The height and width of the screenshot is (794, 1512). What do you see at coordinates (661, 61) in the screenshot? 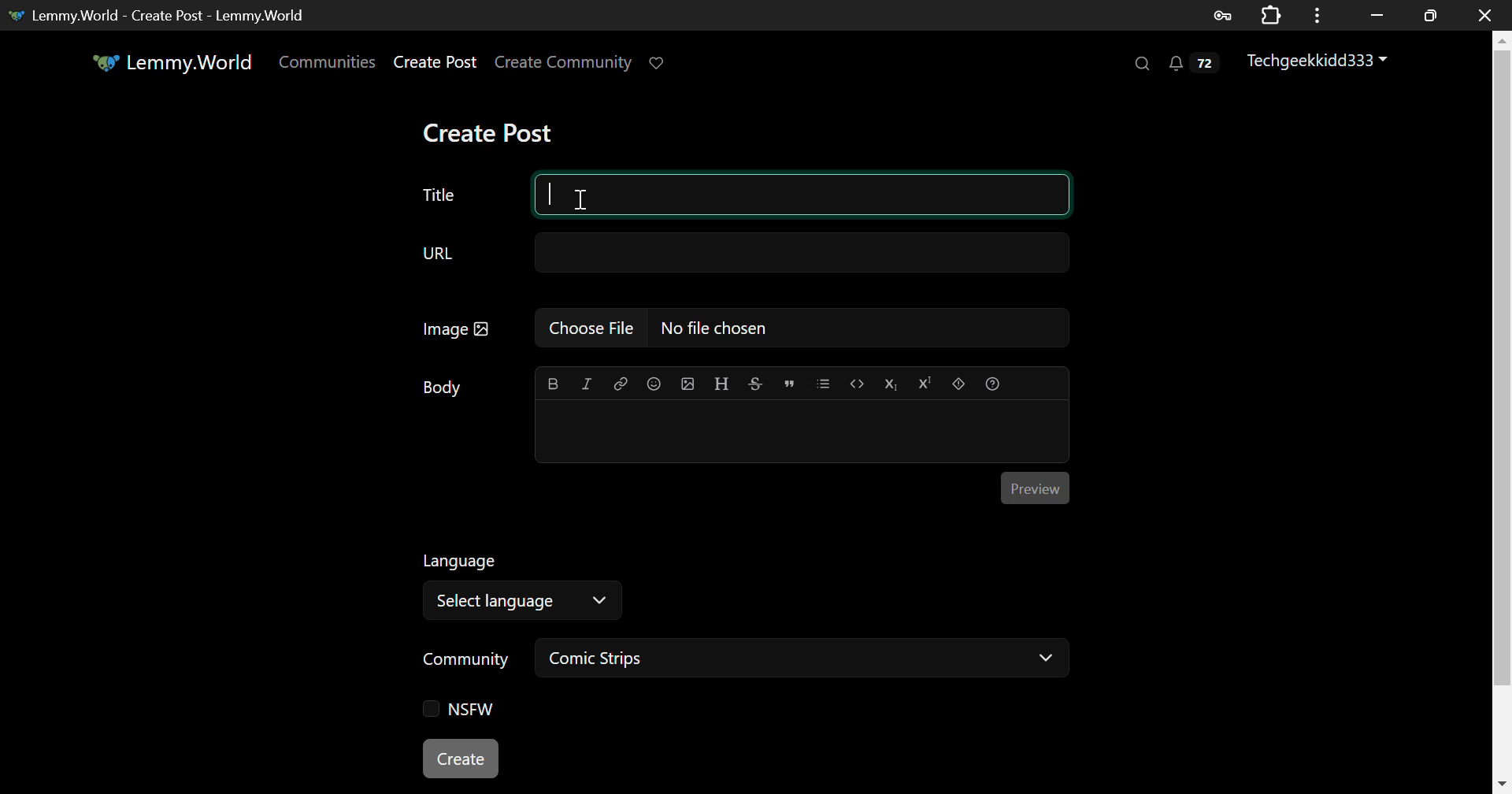
I see `Donate` at bounding box center [661, 61].